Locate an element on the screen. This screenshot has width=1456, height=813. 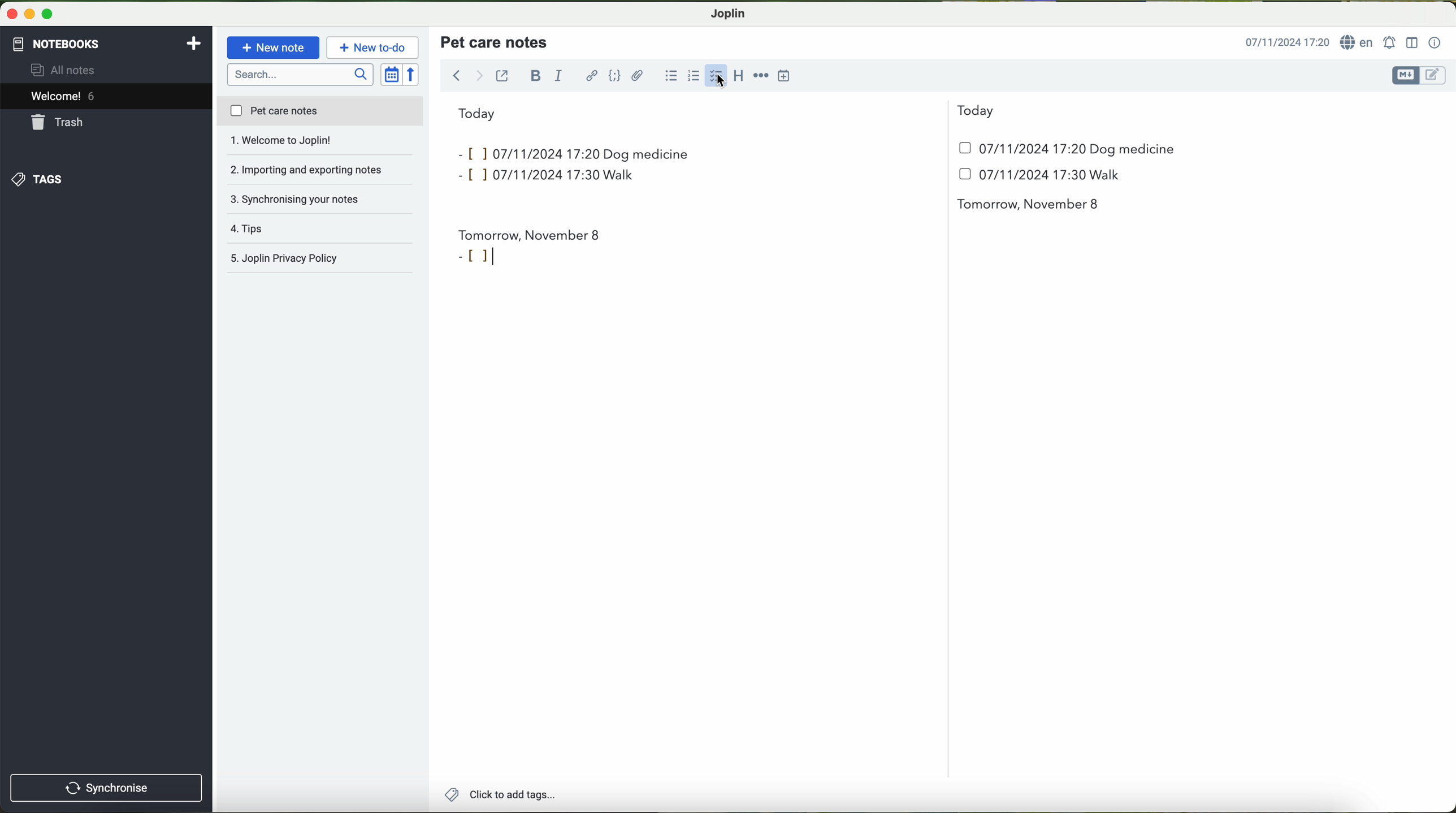
cursor on checkbox option is located at coordinates (718, 76).